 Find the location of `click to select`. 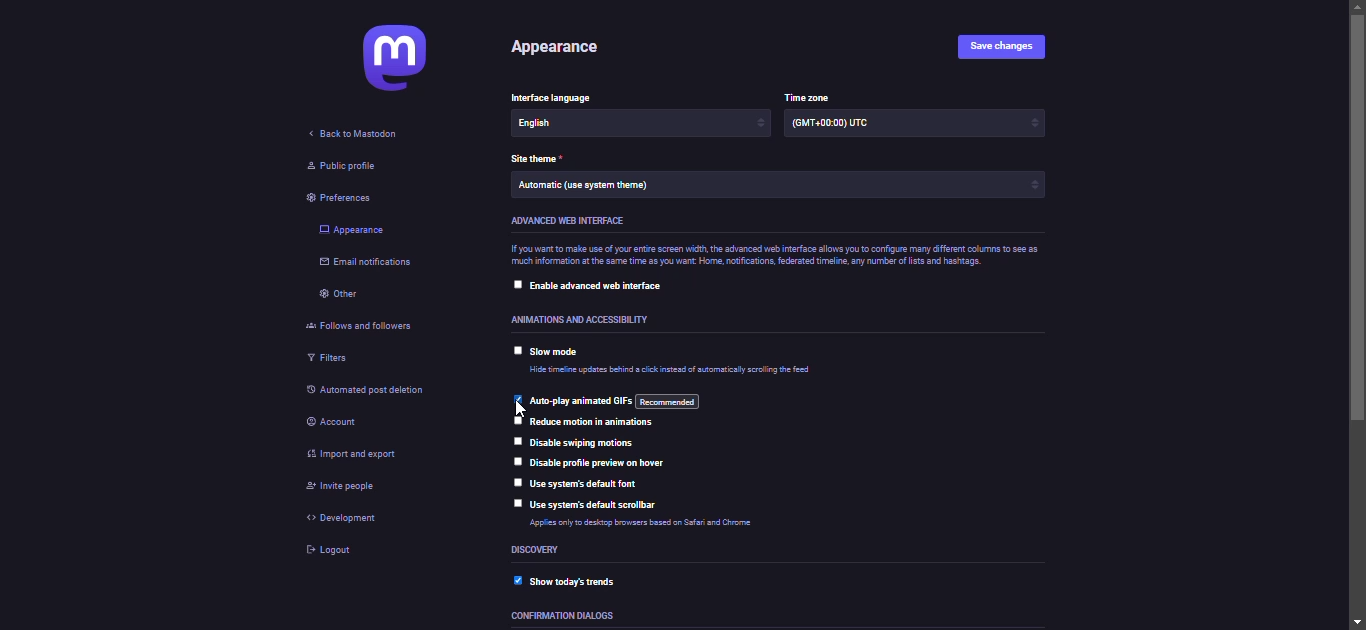

click to select is located at coordinates (512, 351).